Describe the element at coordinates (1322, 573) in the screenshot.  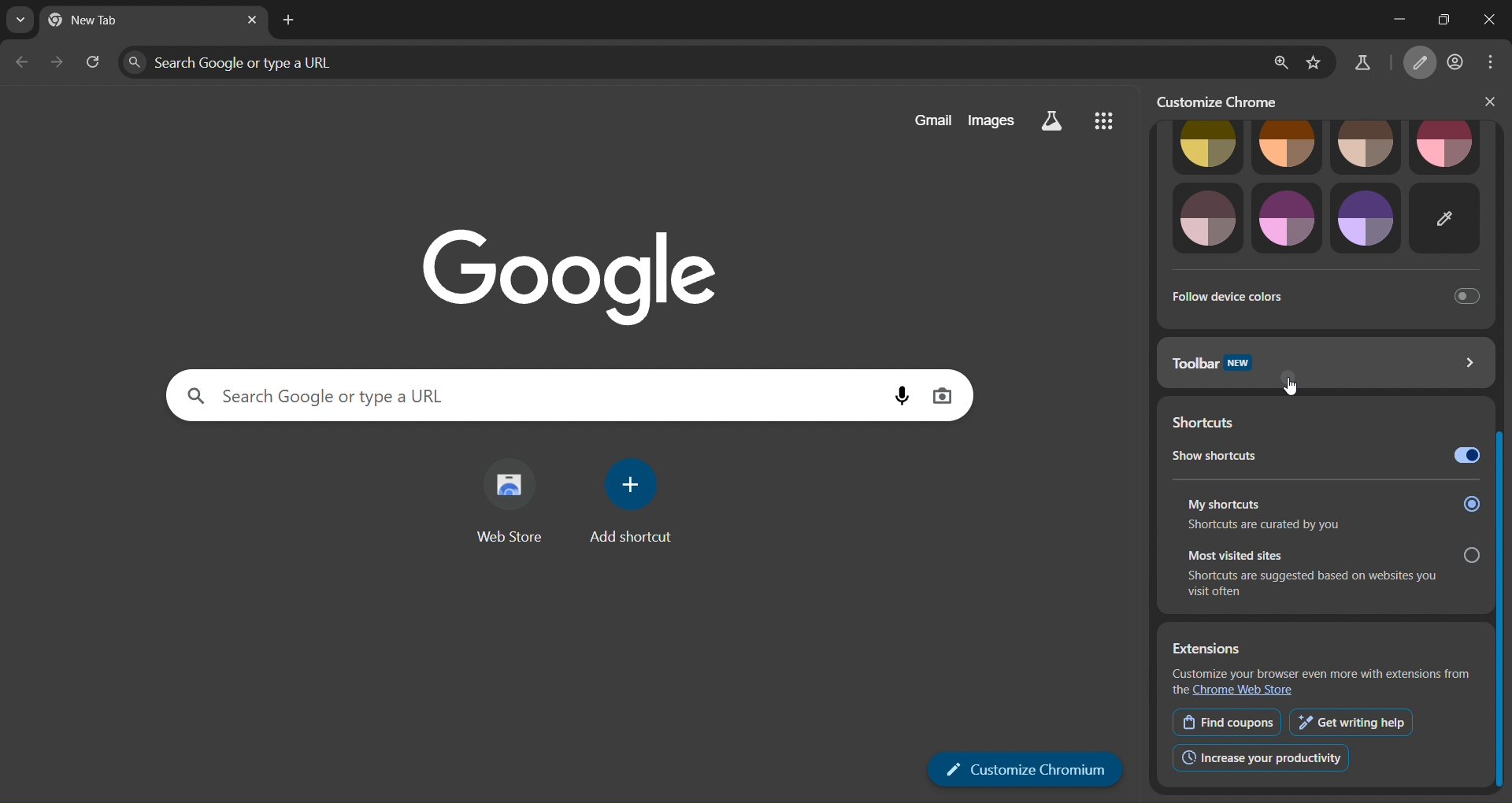
I see `Most visited sites.
Shortcuts are suggested based on websites you
visit often` at that location.